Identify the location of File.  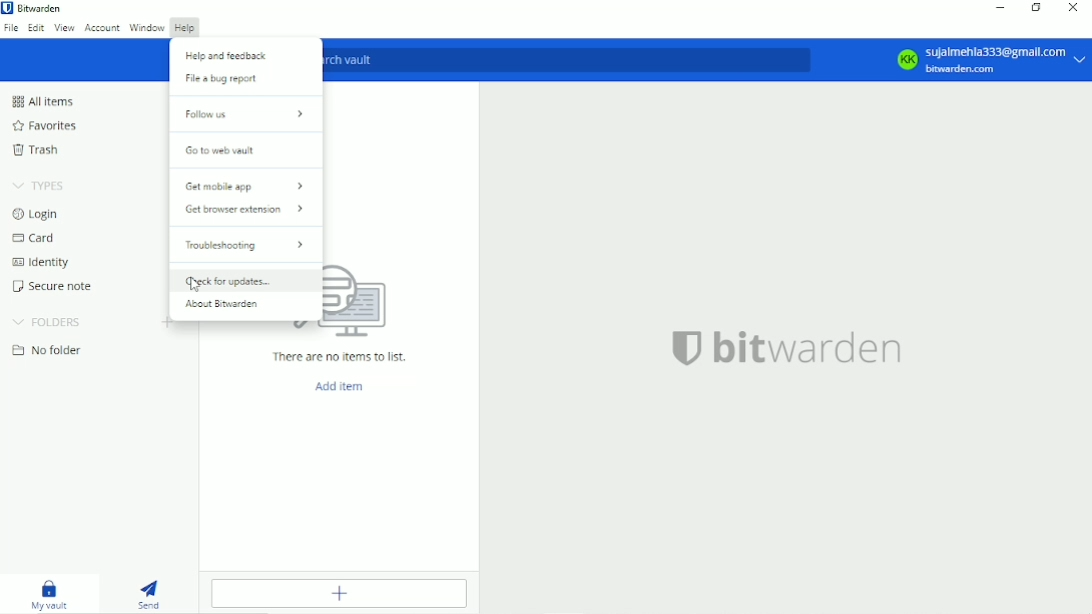
(12, 28).